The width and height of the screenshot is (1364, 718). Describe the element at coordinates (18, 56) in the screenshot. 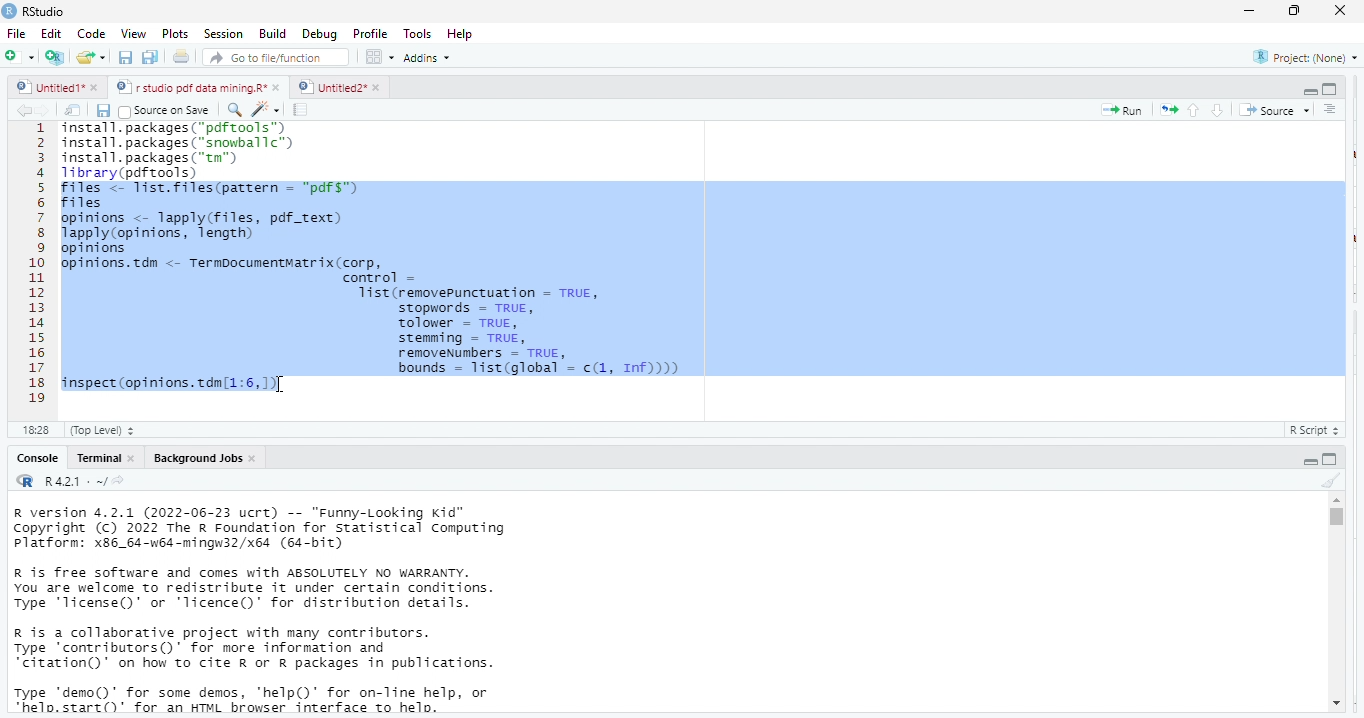

I see `new file` at that location.